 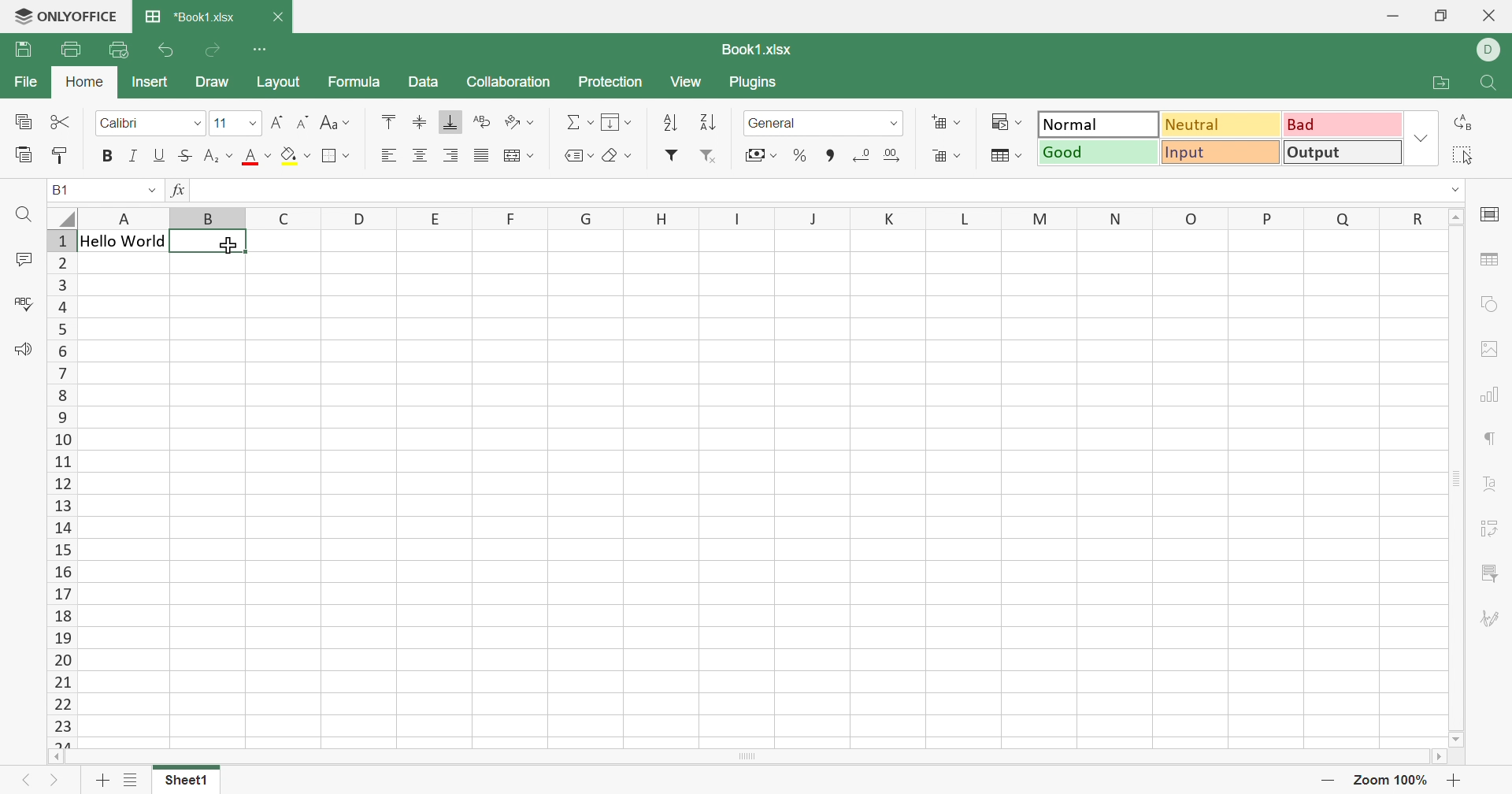 What do you see at coordinates (1488, 396) in the screenshot?
I see `chart settings` at bounding box center [1488, 396].